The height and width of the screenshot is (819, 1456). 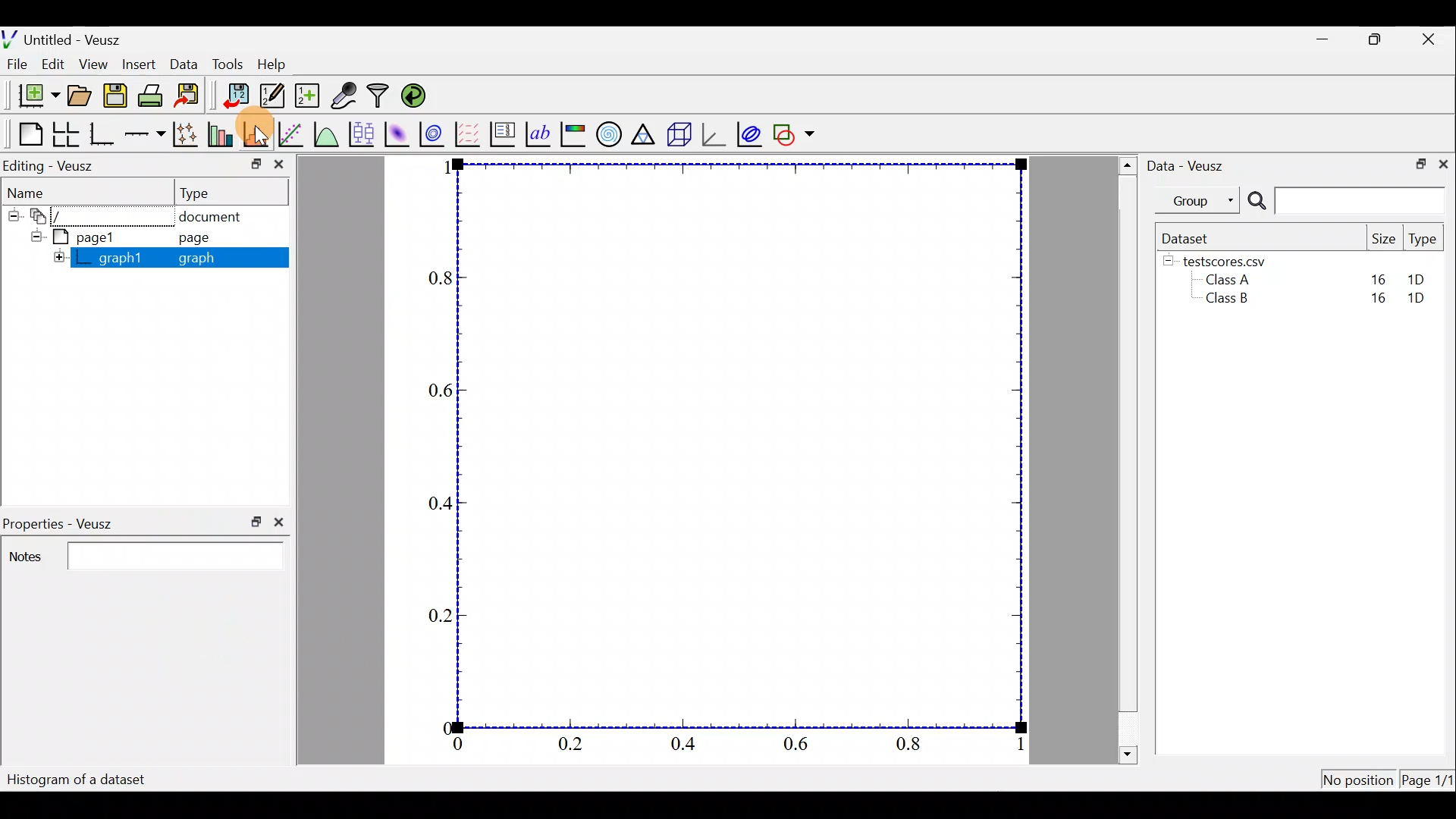 What do you see at coordinates (61, 519) in the screenshot?
I see `Properties - Veusz` at bounding box center [61, 519].